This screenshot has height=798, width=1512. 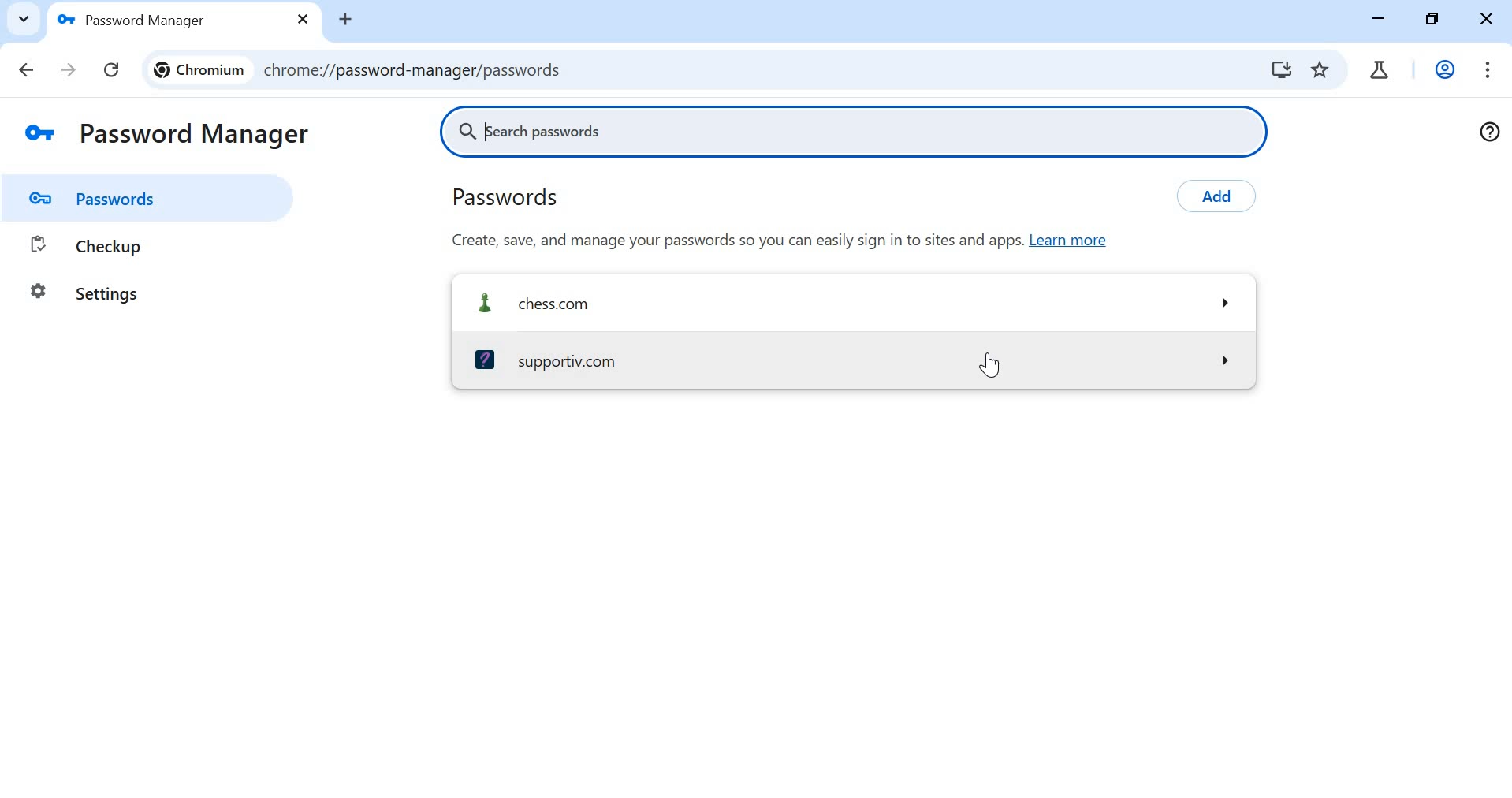 What do you see at coordinates (996, 365) in the screenshot?
I see `cursor position at a saved password` at bounding box center [996, 365].